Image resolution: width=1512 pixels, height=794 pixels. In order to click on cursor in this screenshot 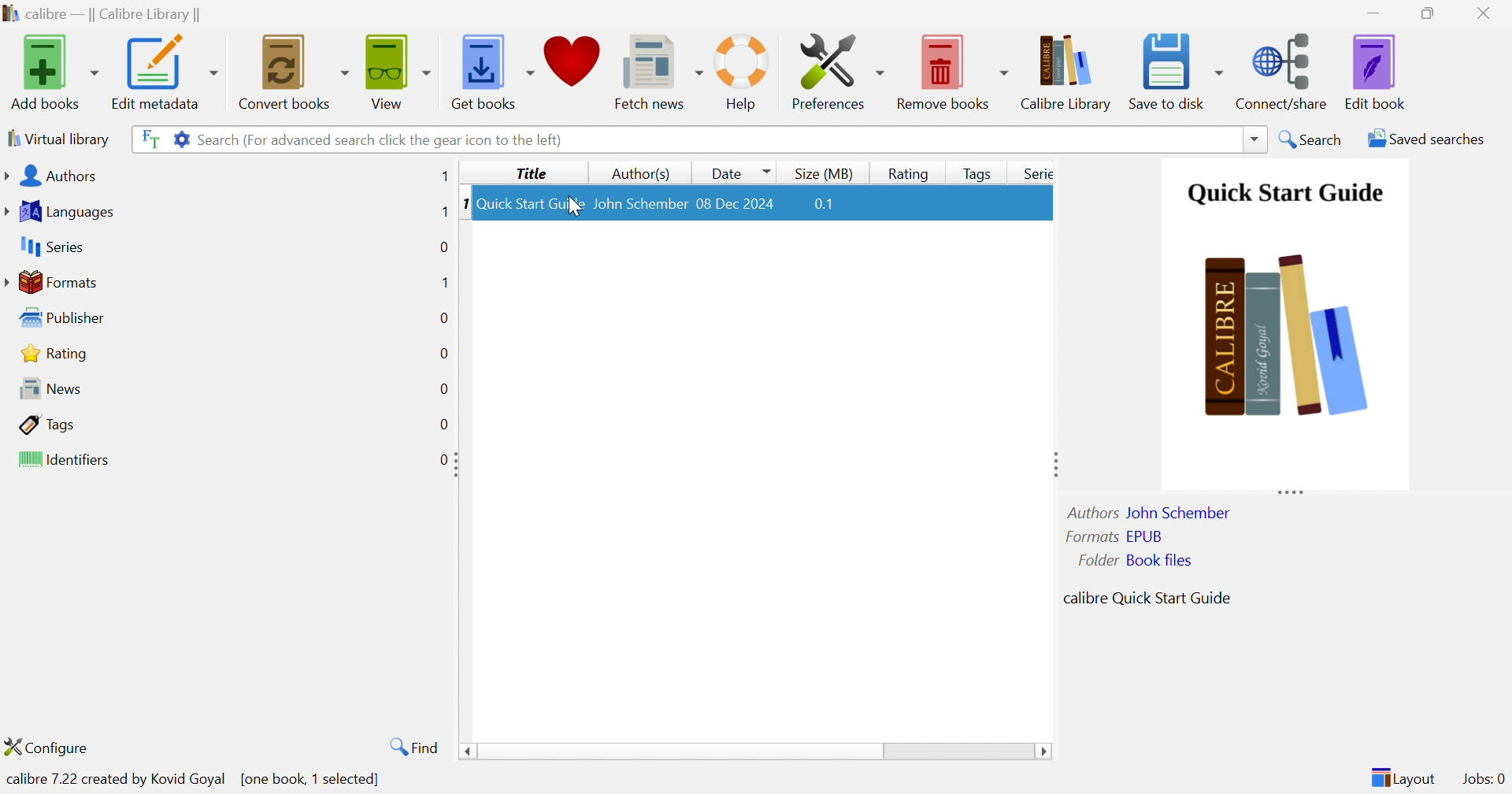, I will do `click(576, 209)`.